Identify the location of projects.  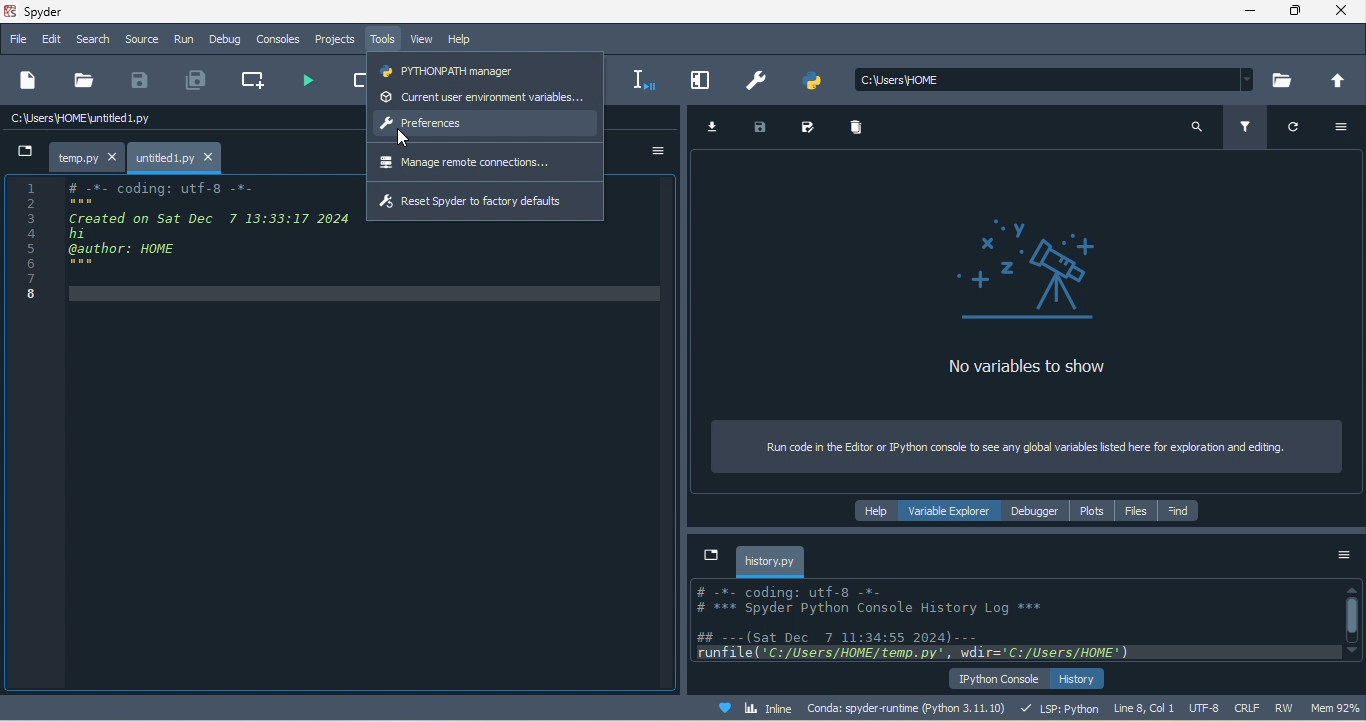
(337, 41).